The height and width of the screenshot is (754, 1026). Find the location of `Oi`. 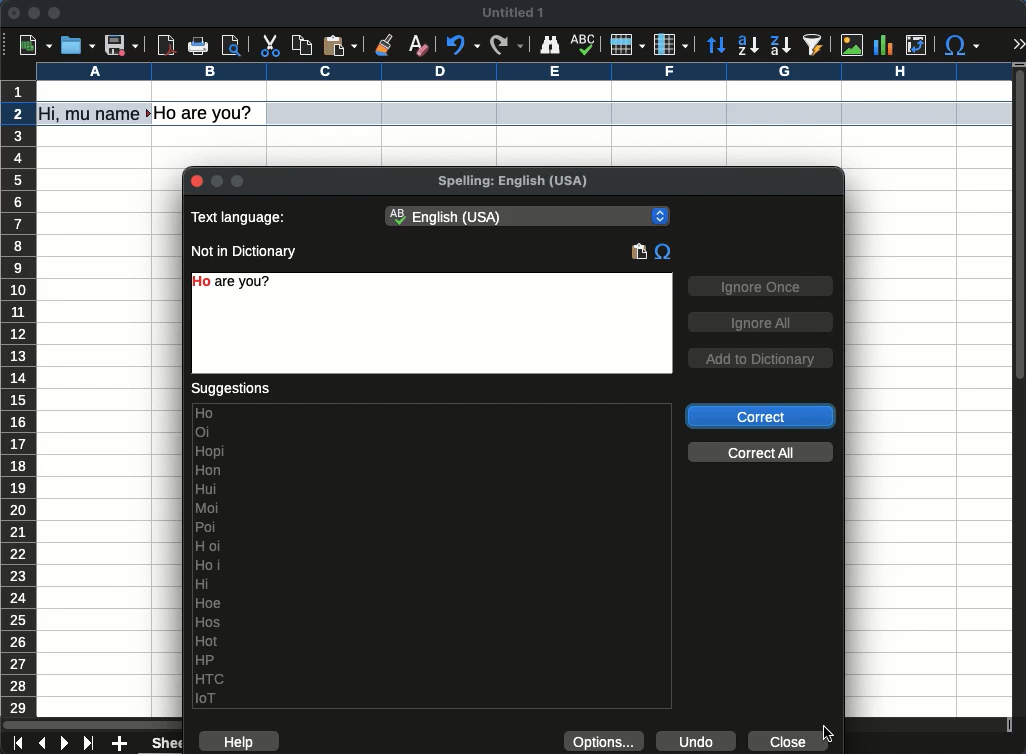

Oi is located at coordinates (203, 432).